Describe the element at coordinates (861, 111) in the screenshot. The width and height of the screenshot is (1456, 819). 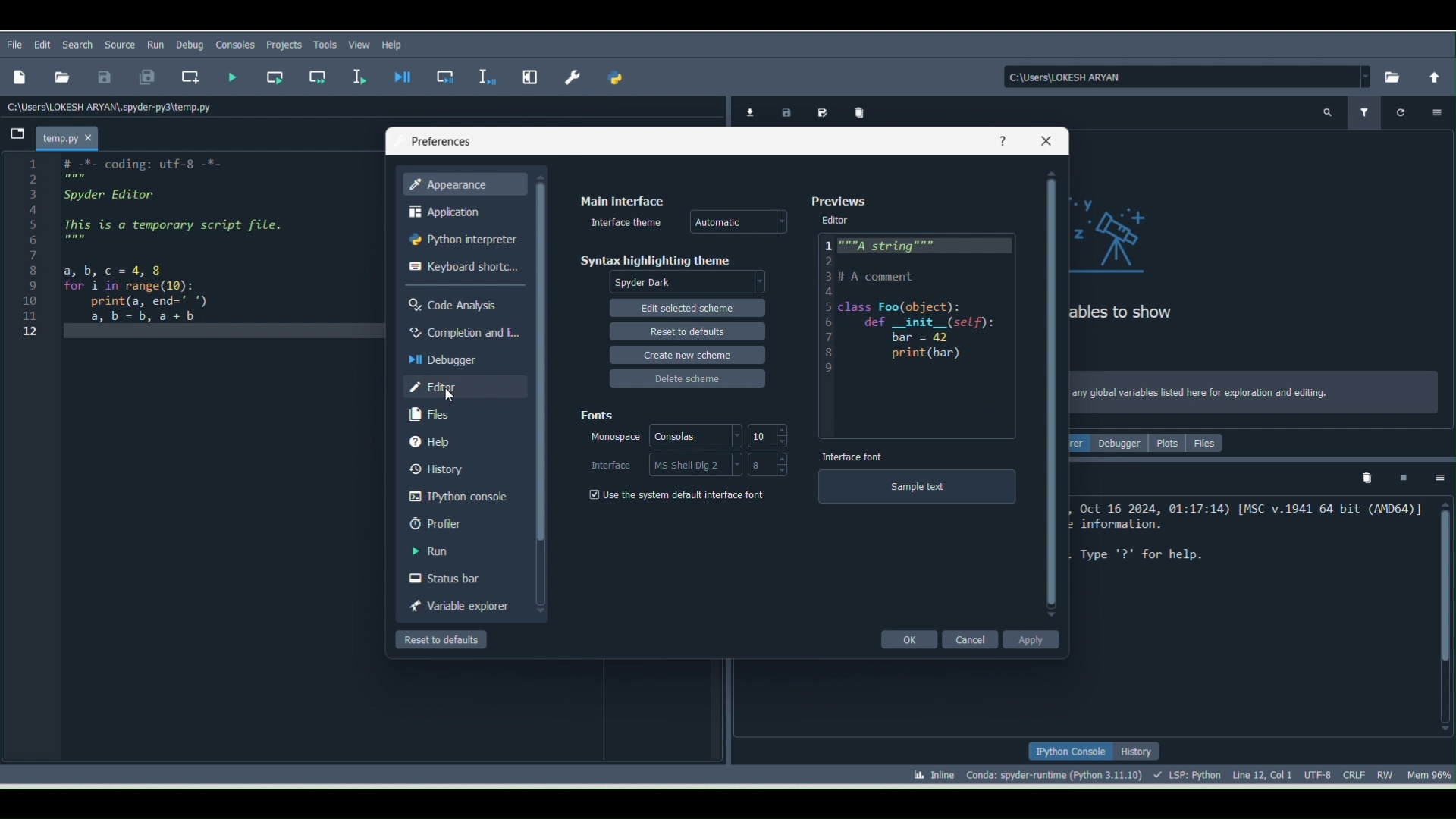
I see `Remove all variables` at that location.